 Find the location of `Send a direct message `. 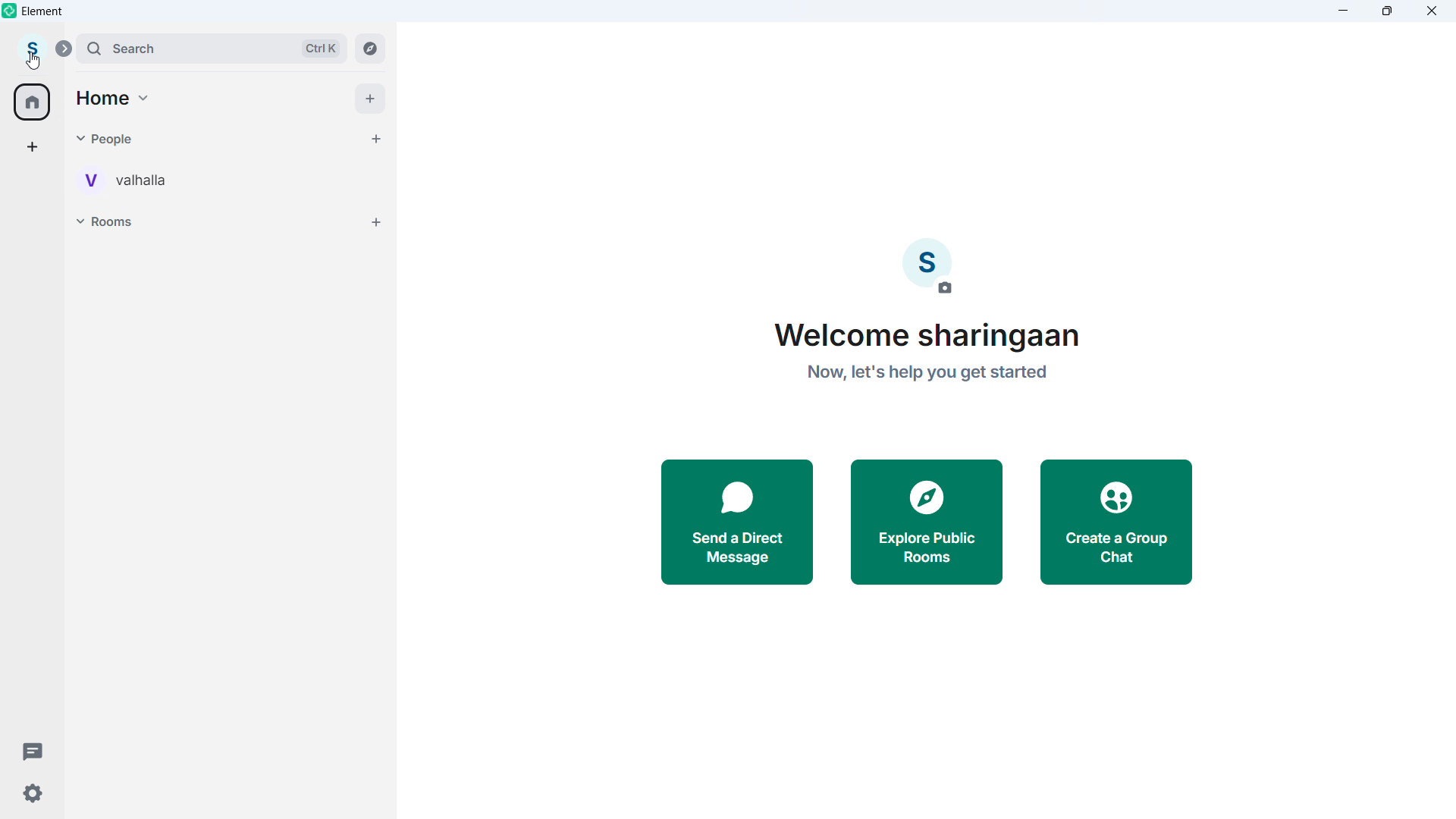

Send a direct message  is located at coordinates (739, 523).